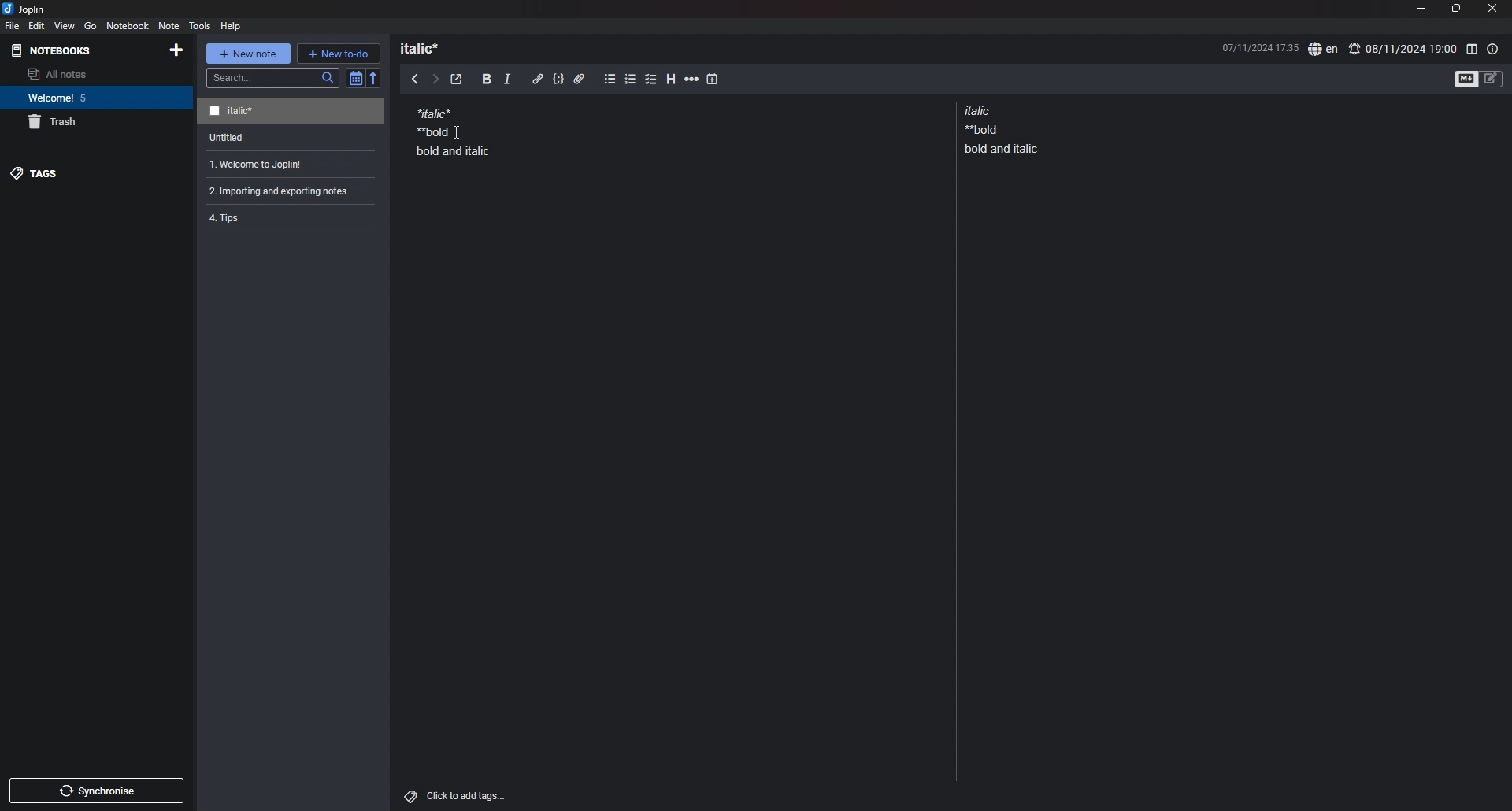 Image resolution: width=1512 pixels, height=811 pixels. I want to click on note, so click(284, 191).